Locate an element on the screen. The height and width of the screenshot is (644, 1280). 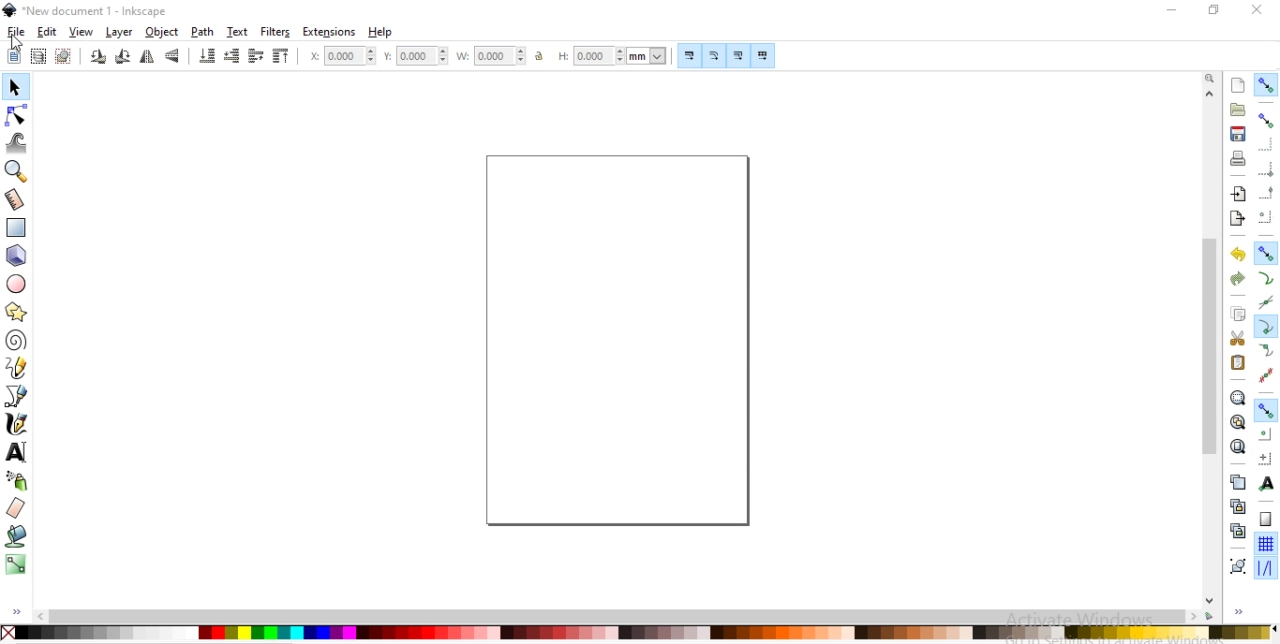
canvas is located at coordinates (616, 341).